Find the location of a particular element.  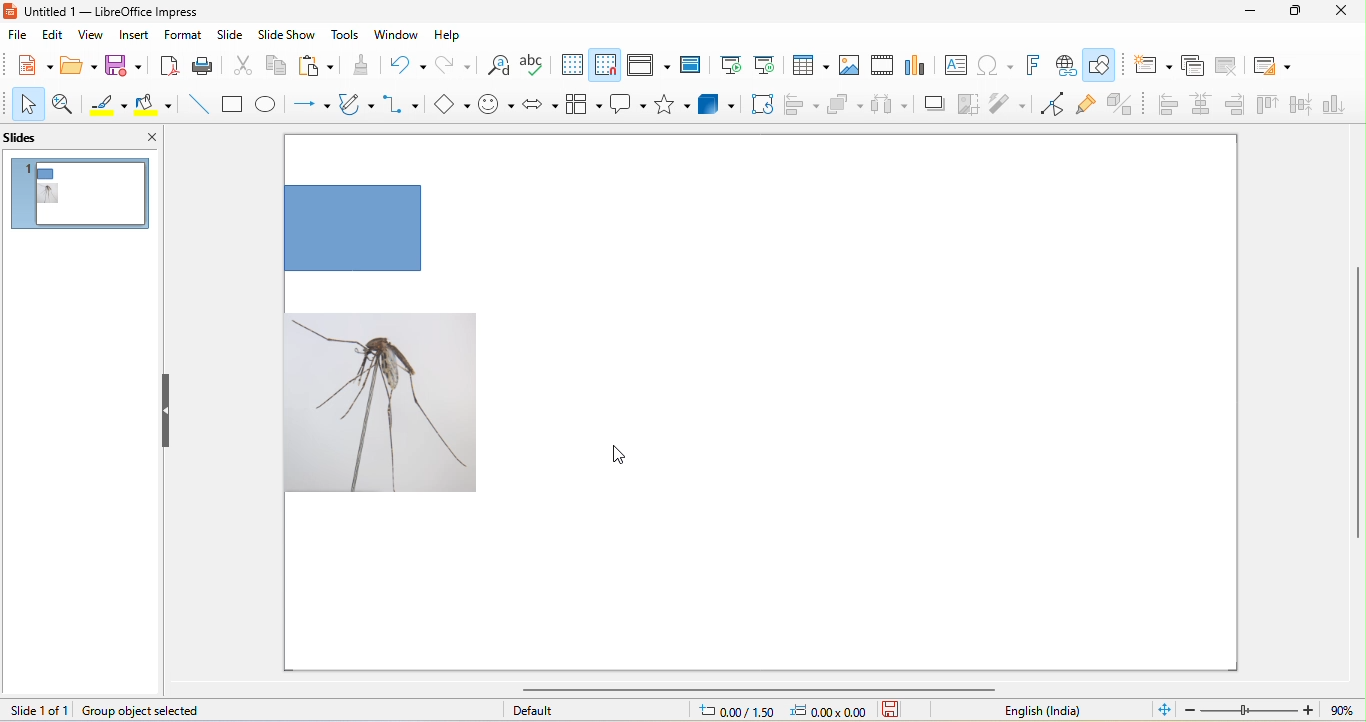

fill color is located at coordinates (158, 105).